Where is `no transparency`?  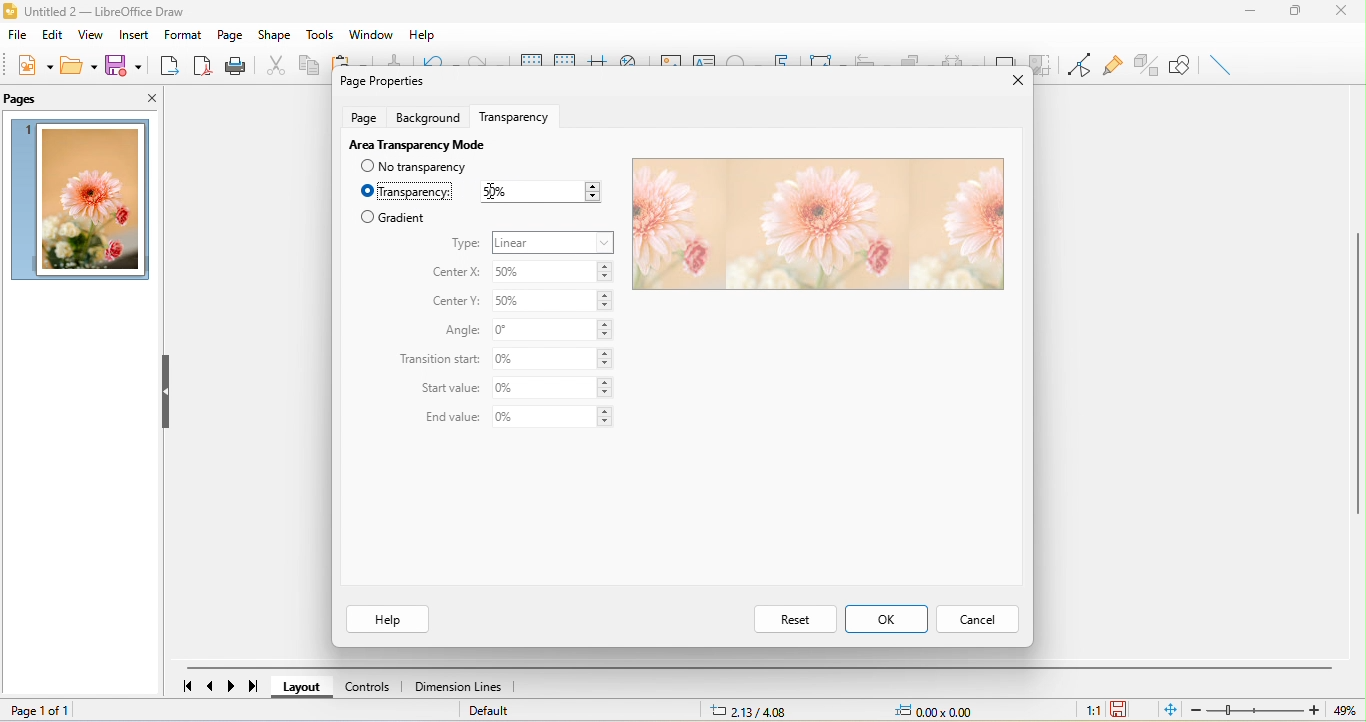
no transparency is located at coordinates (425, 167).